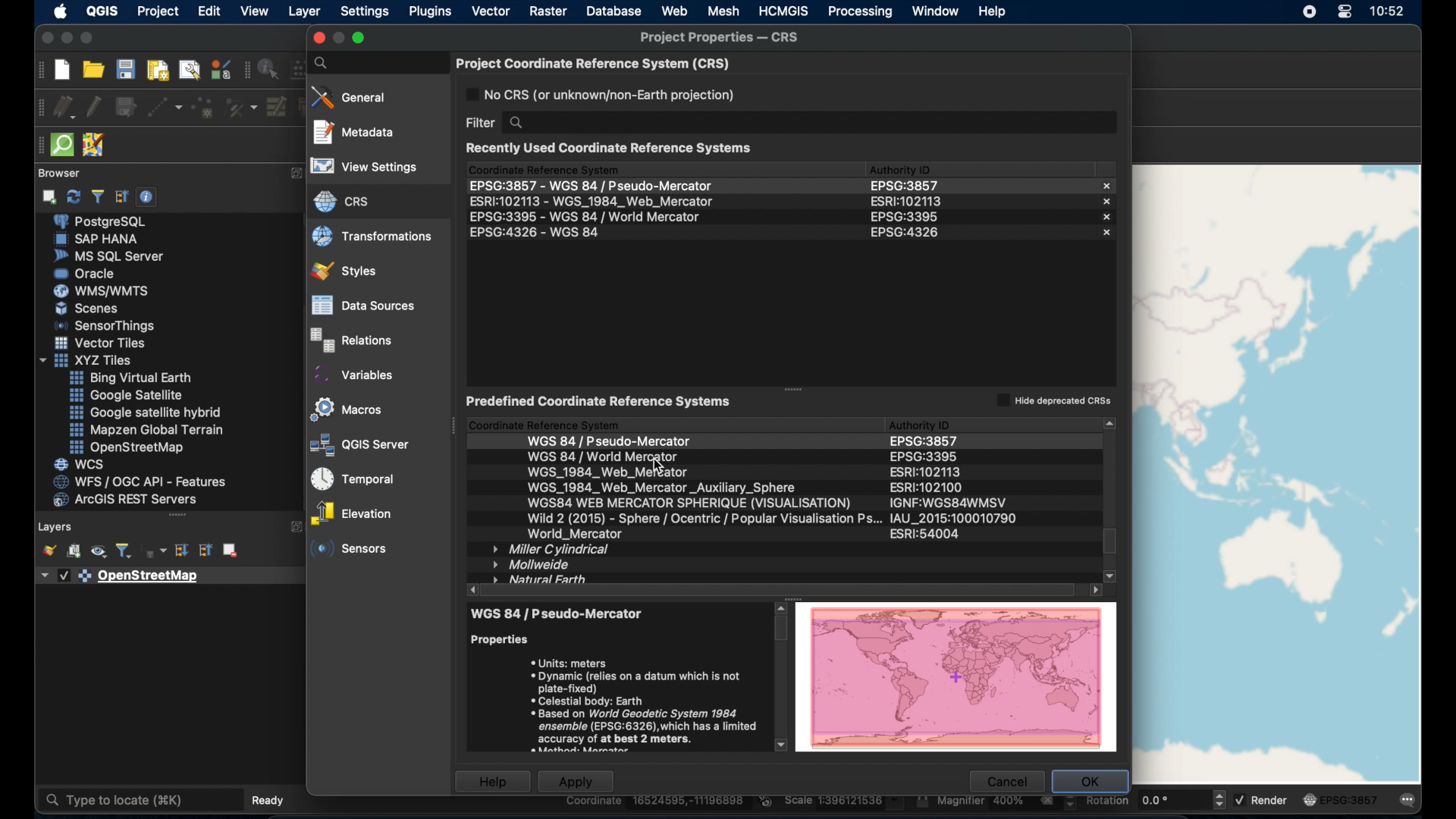 Image resolution: width=1456 pixels, height=819 pixels. Describe the element at coordinates (372, 238) in the screenshot. I see `transformations` at that location.